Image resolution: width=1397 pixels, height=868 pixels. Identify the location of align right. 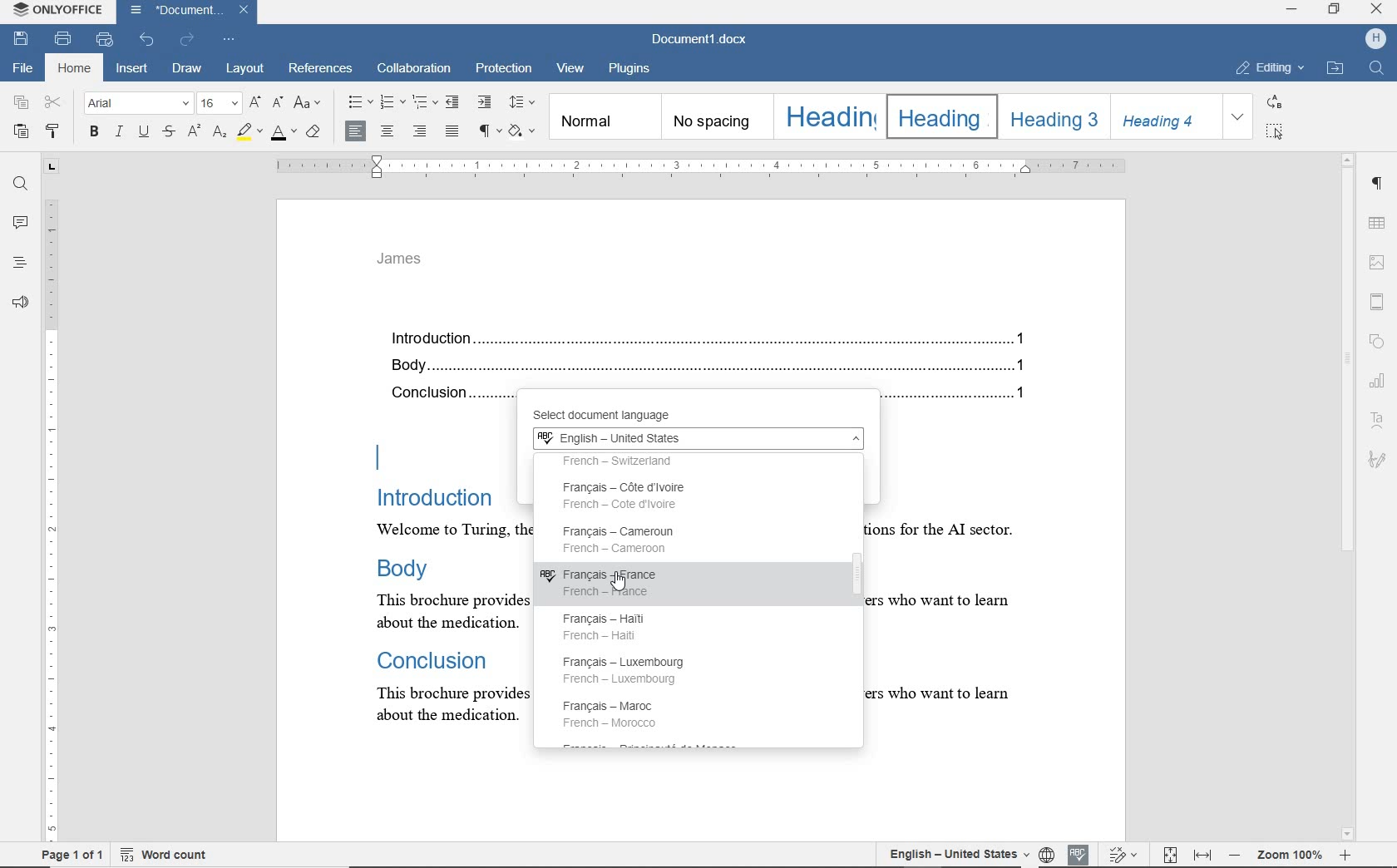
(422, 133).